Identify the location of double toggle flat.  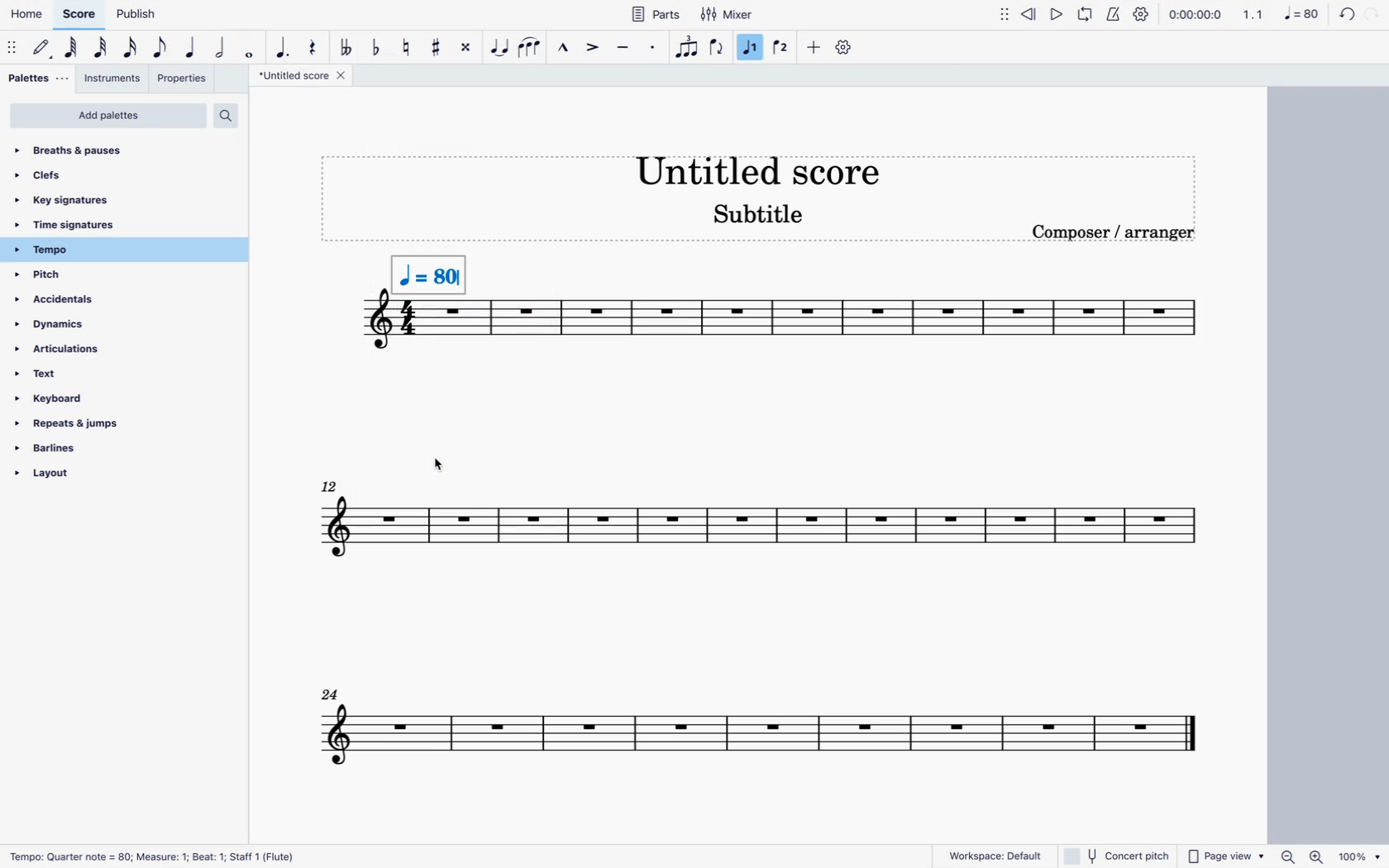
(347, 48).